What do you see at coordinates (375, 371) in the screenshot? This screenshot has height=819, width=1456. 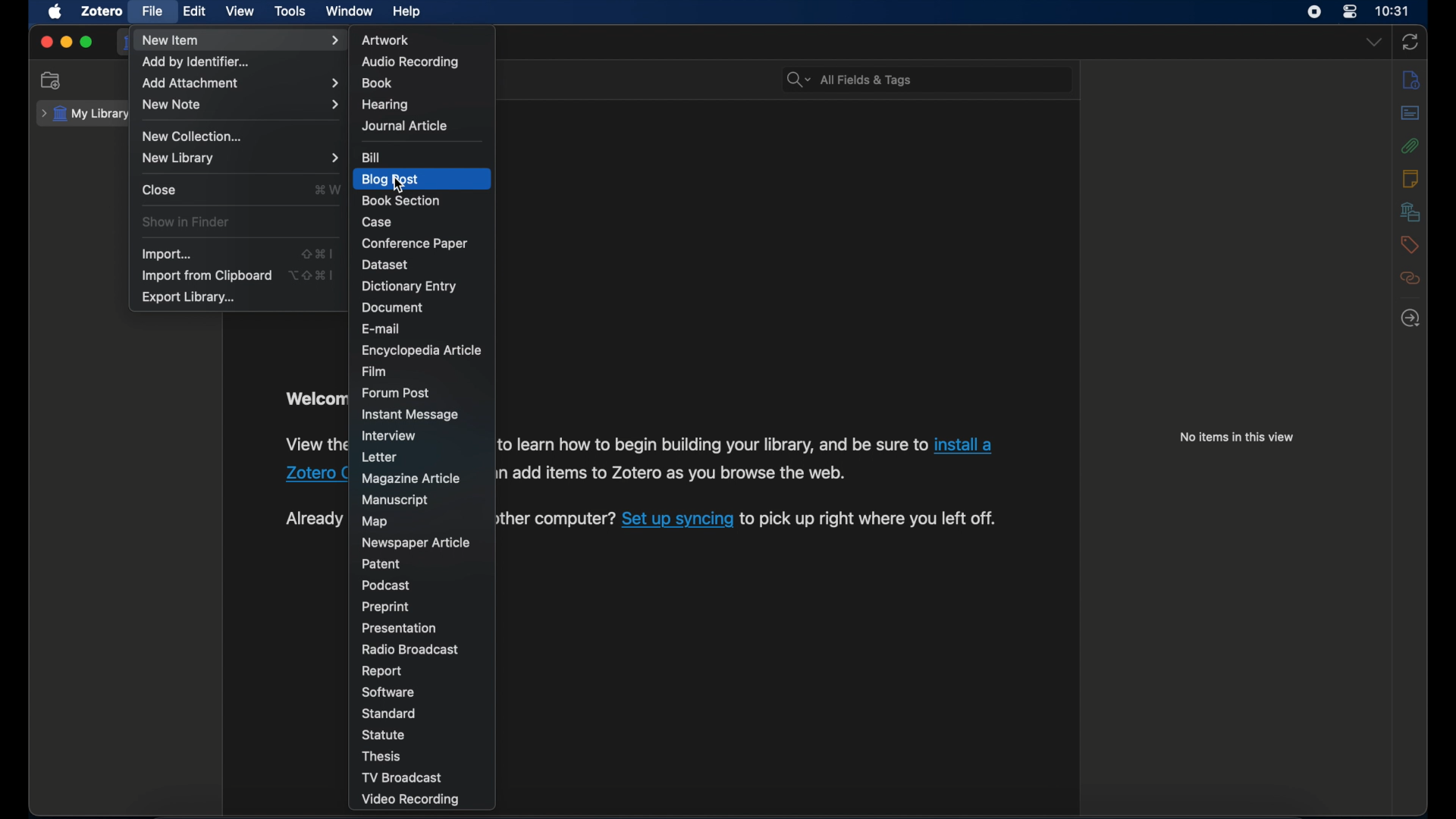 I see `film` at bounding box center [375, 371].